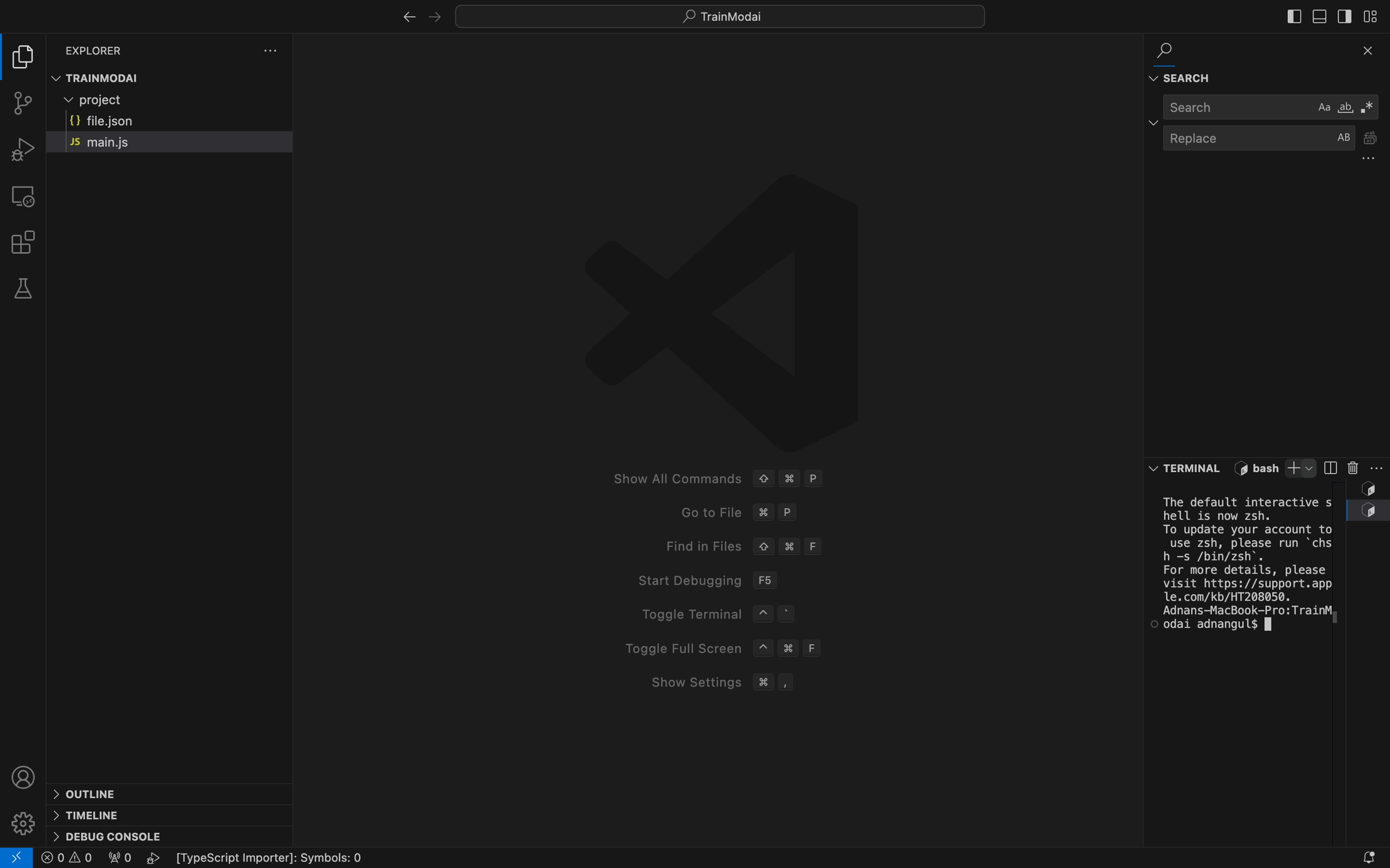 The height and width of the screenshot is (868, 1390). Describe the element at coordinates (28, 242) in the screenshot. I see `extensions` at that location.